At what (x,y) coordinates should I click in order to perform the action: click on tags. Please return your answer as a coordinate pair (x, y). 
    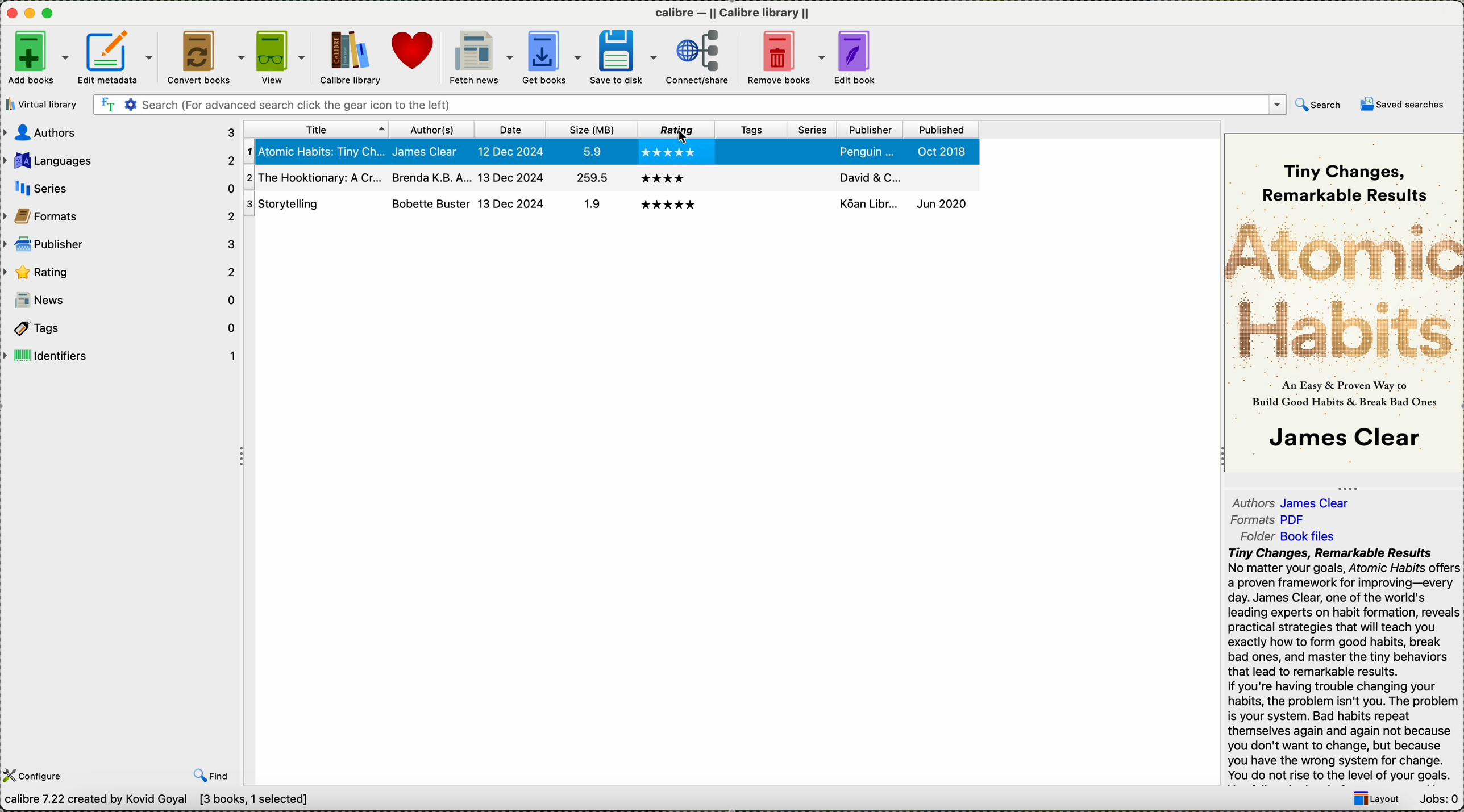
    Looking at the image, I should click on (120, 328).